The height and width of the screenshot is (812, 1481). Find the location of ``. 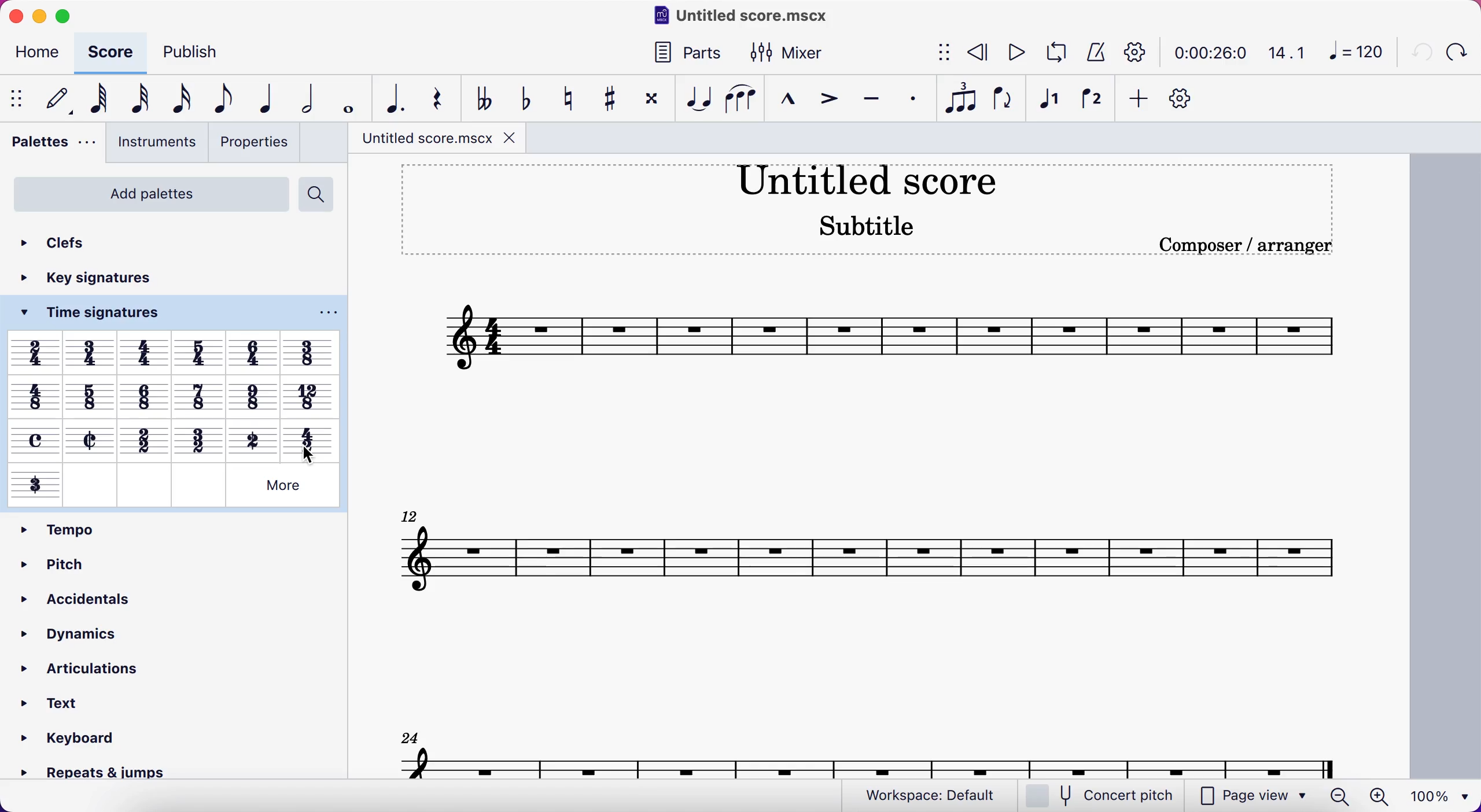

 is located at coordinates (254, 353).